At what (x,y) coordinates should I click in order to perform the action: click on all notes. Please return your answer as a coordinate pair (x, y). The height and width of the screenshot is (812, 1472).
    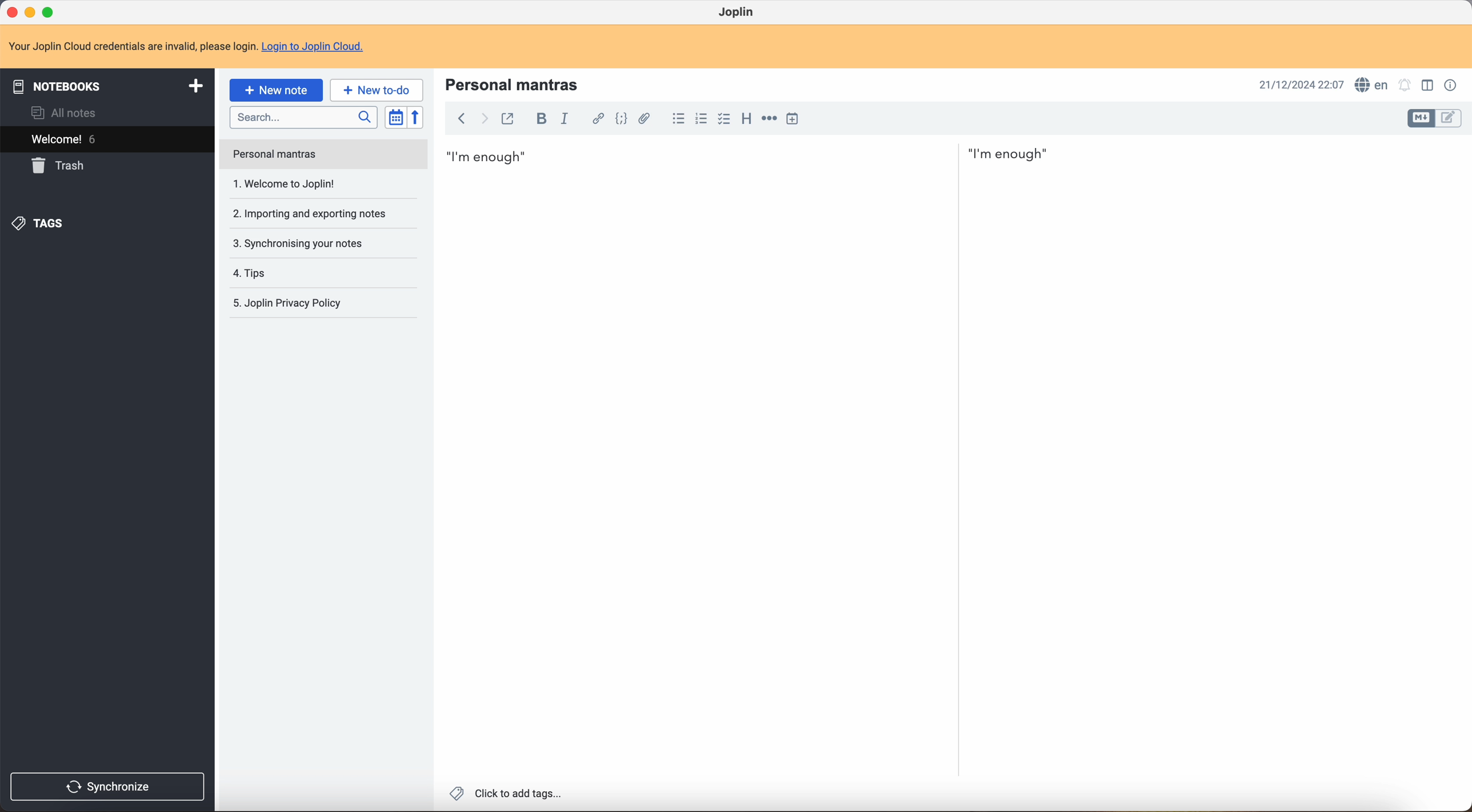
    Looking at the image, I should click on (62, 113).